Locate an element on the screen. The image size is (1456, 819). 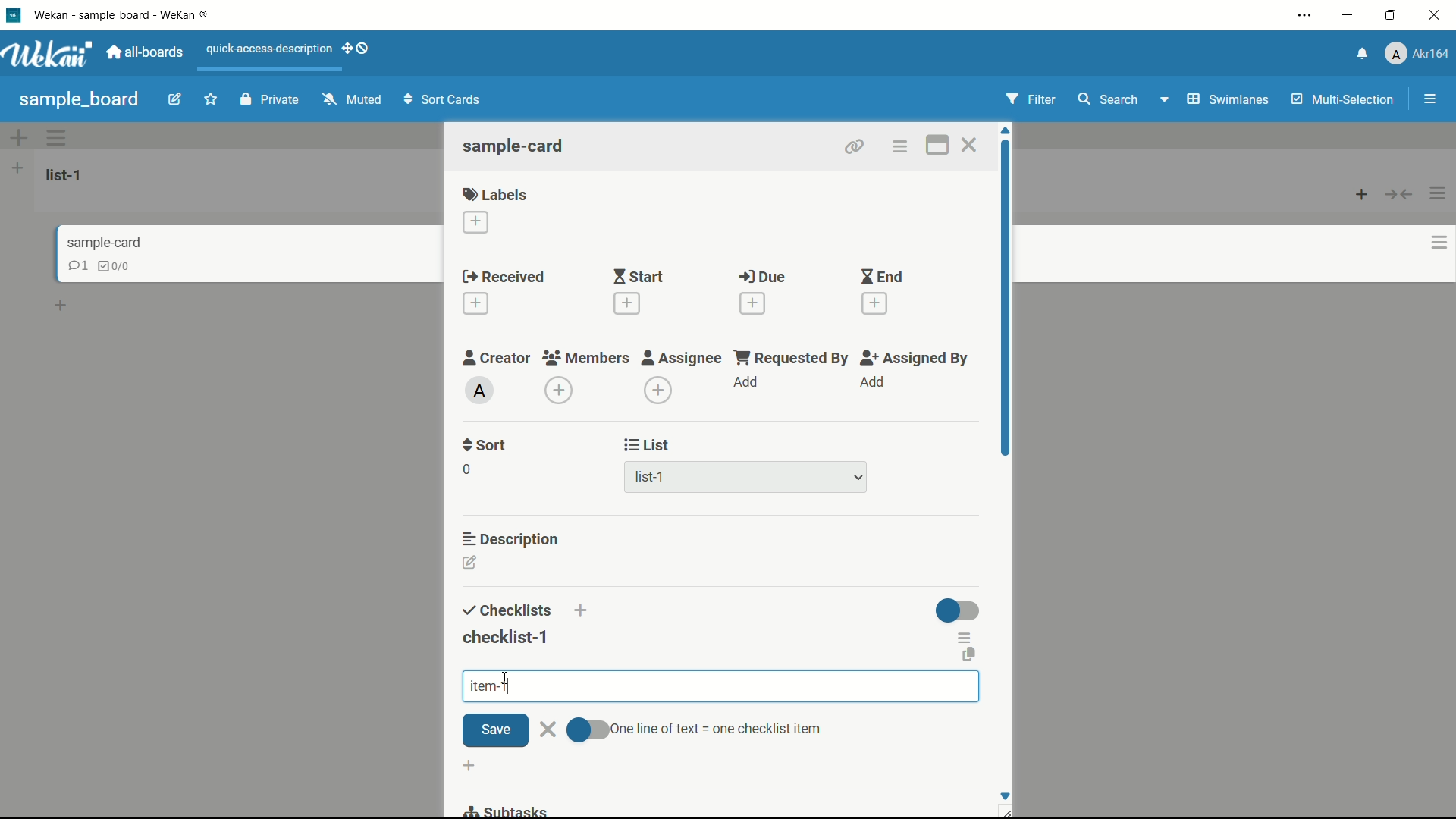
options is located at coordinates (61, 138).